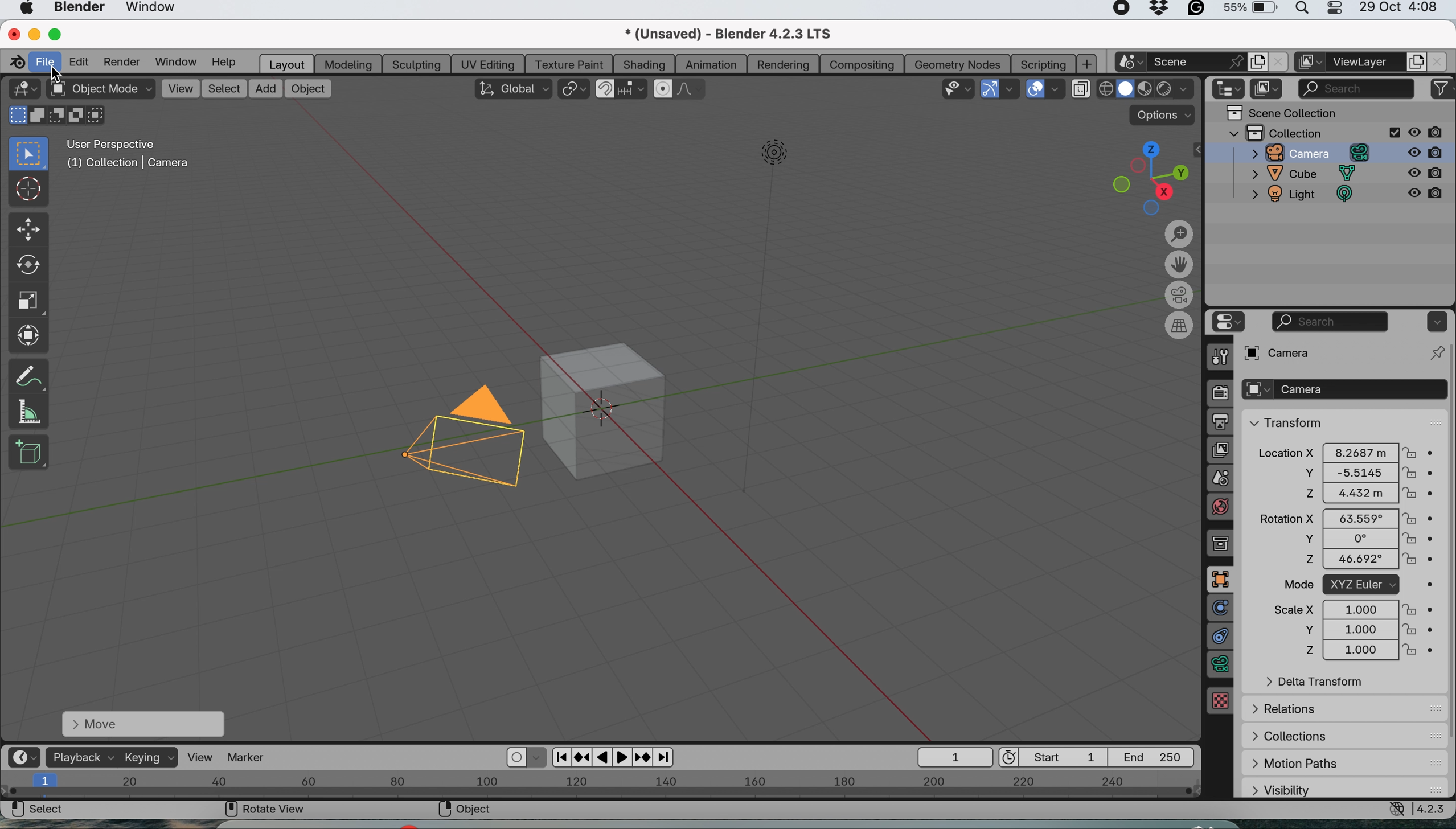  What do you see at coordinates (513, 88) in the screenshot?
I see `transform orientation` at bounding box center [513, 88].